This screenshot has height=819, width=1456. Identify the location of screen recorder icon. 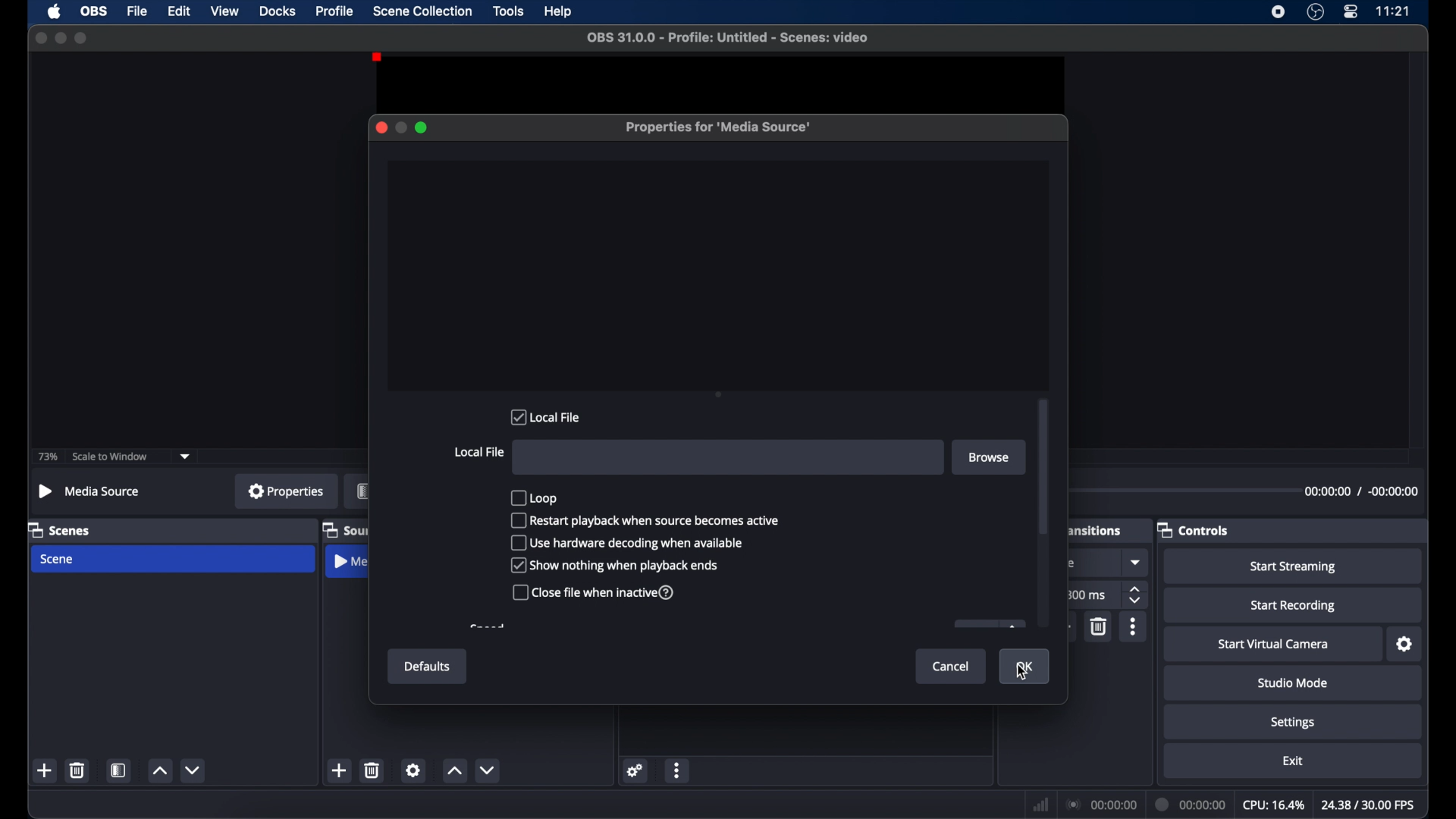
(1278, 11).